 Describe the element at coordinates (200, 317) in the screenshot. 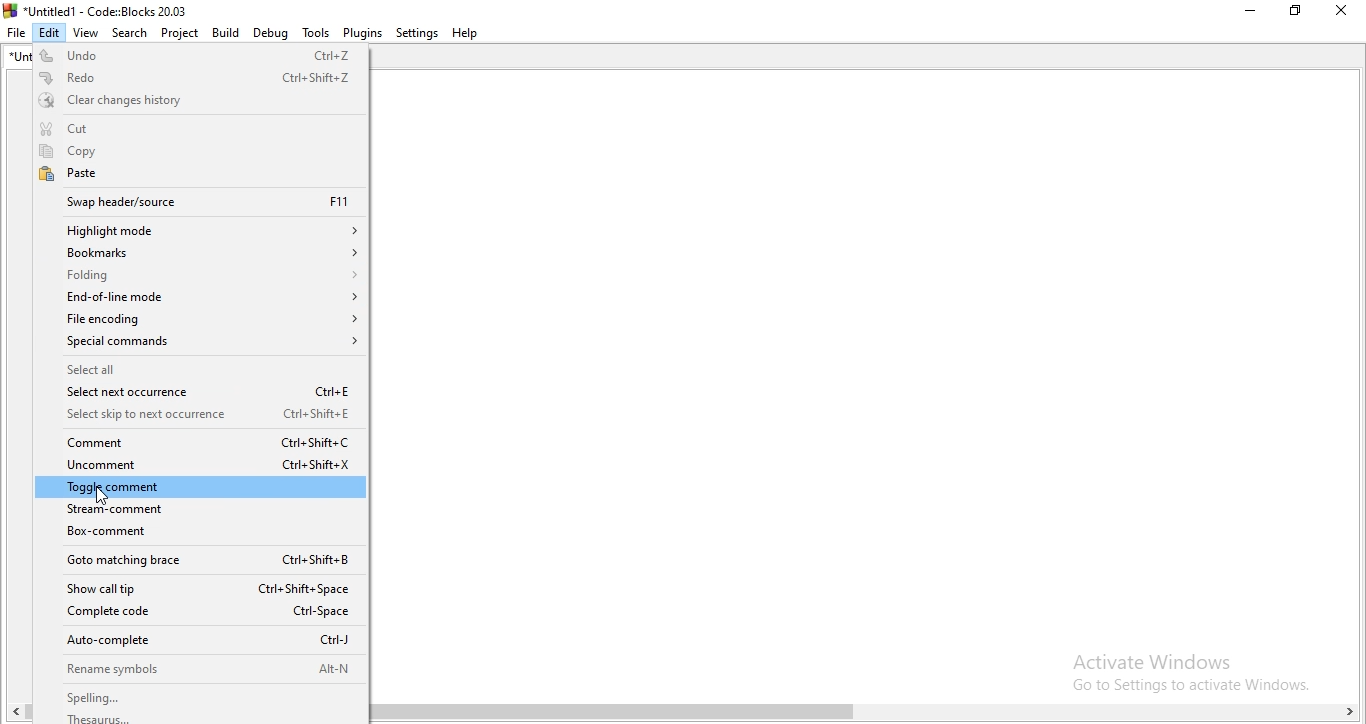

I see `File encoding` at that location.